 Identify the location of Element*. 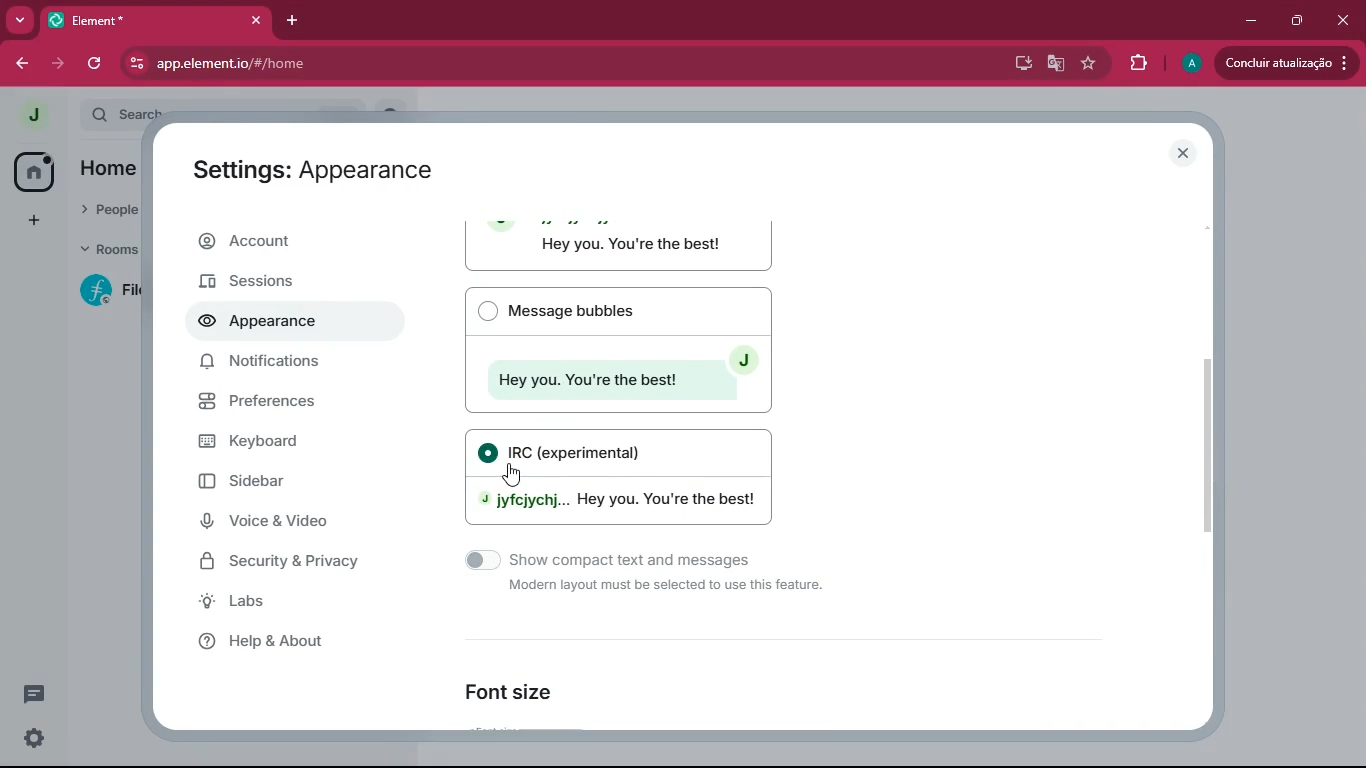
(140, 19).